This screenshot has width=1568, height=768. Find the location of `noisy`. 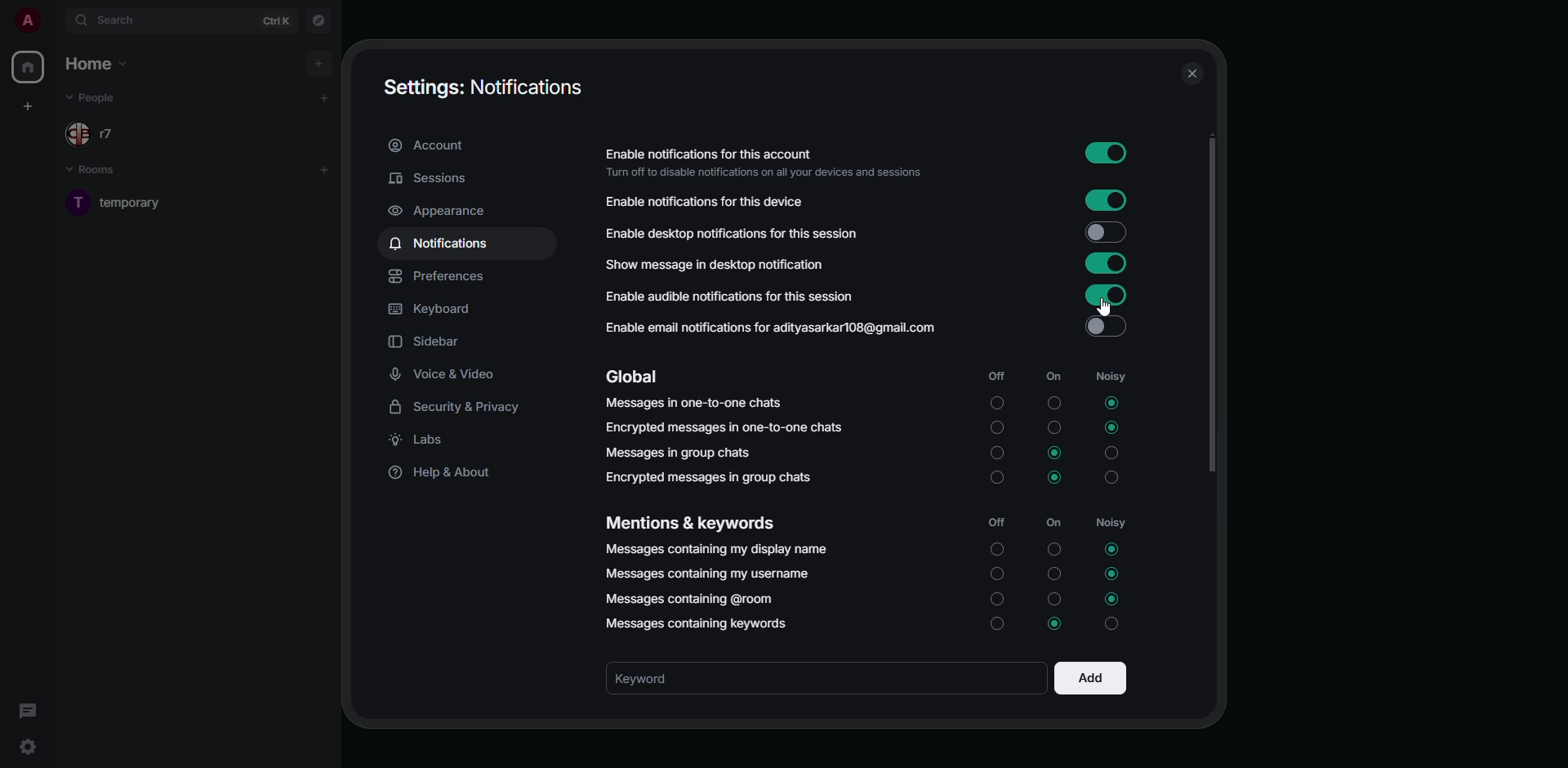

noisy is located at coordinates (1111, 376).